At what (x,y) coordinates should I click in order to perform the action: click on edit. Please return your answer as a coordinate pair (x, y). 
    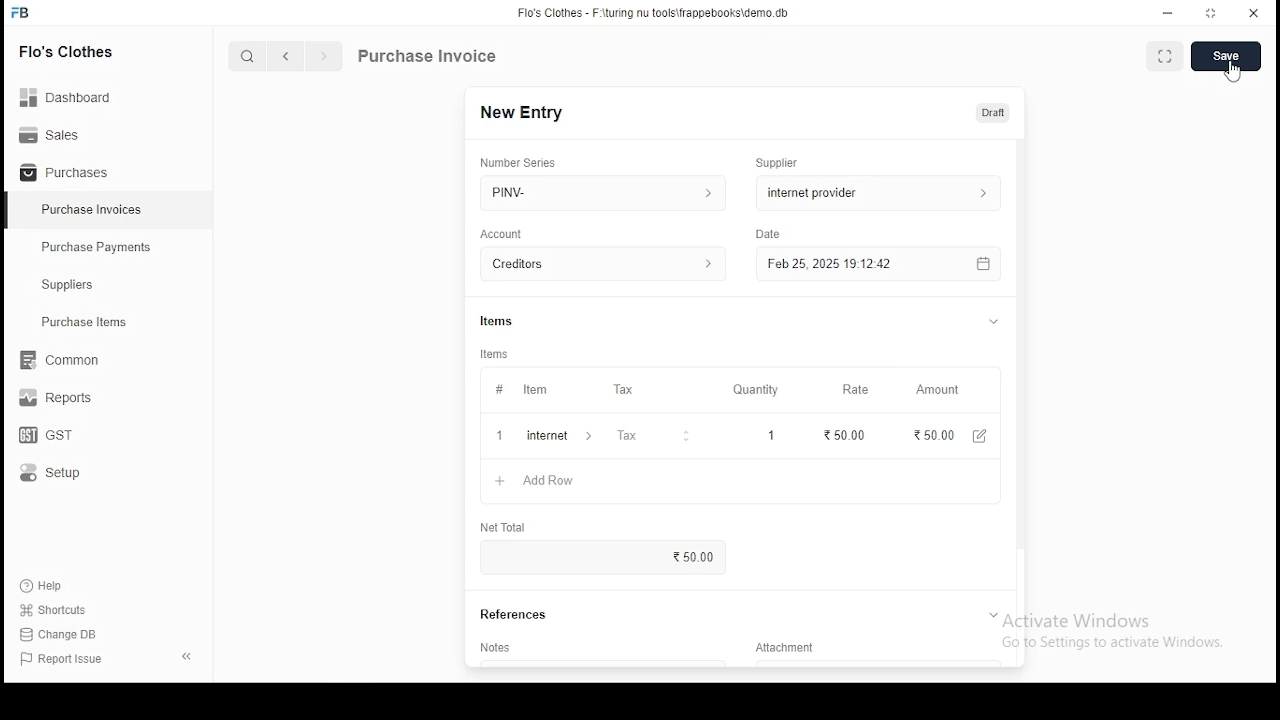
    Looking at the image, I should click on (974, 437).